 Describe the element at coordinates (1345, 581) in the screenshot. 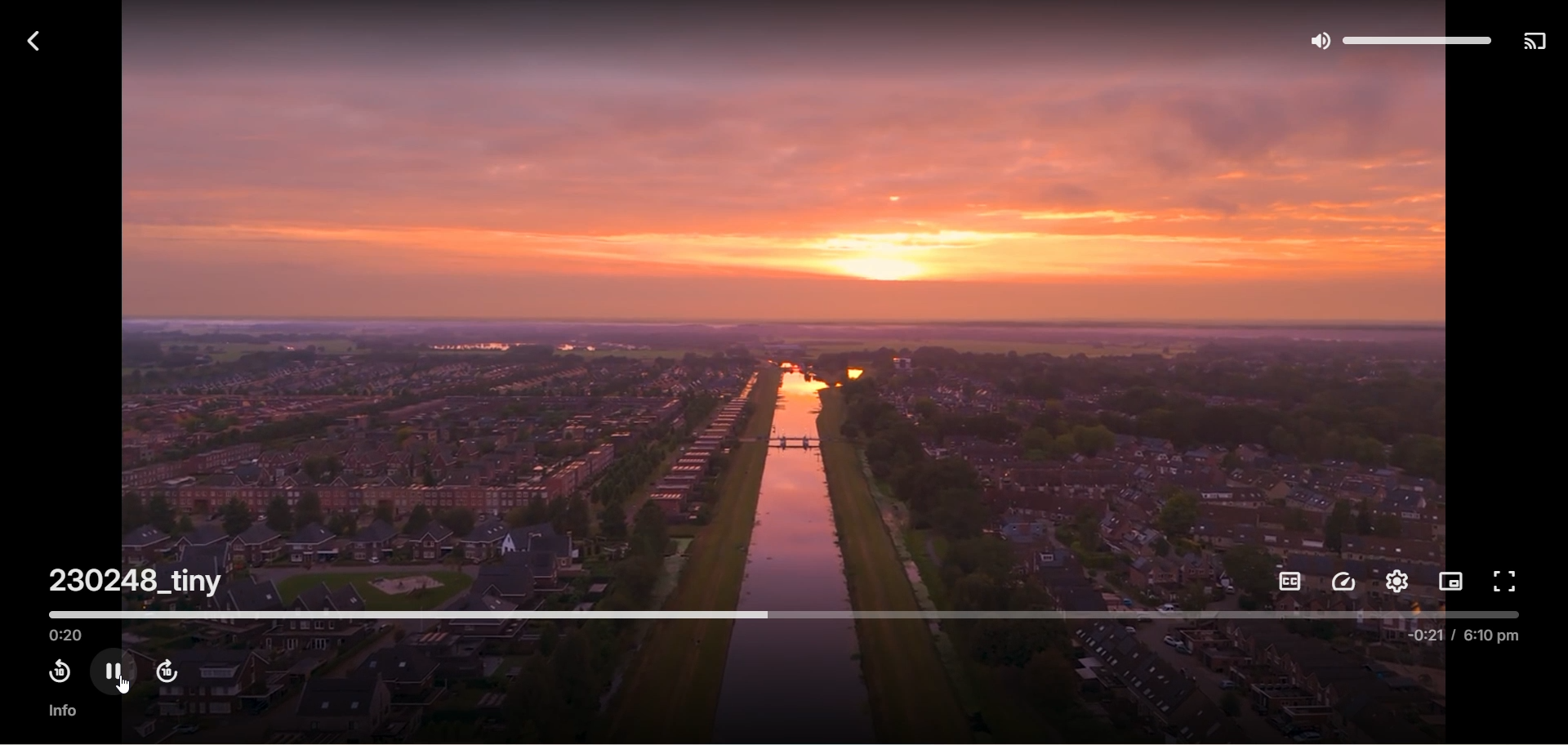

I see `playback speed` at that location.